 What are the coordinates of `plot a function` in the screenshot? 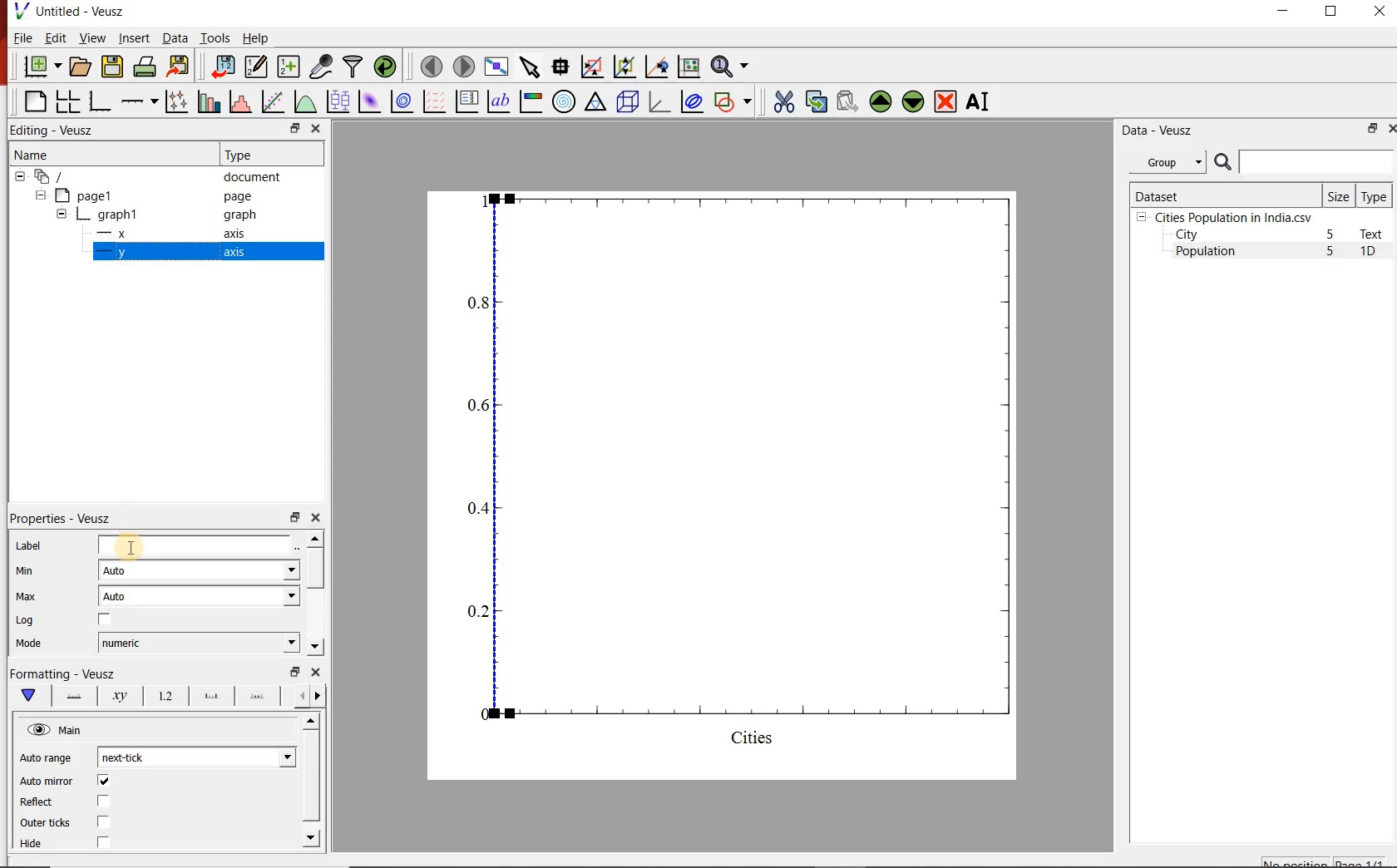 It's located at (304, 101).